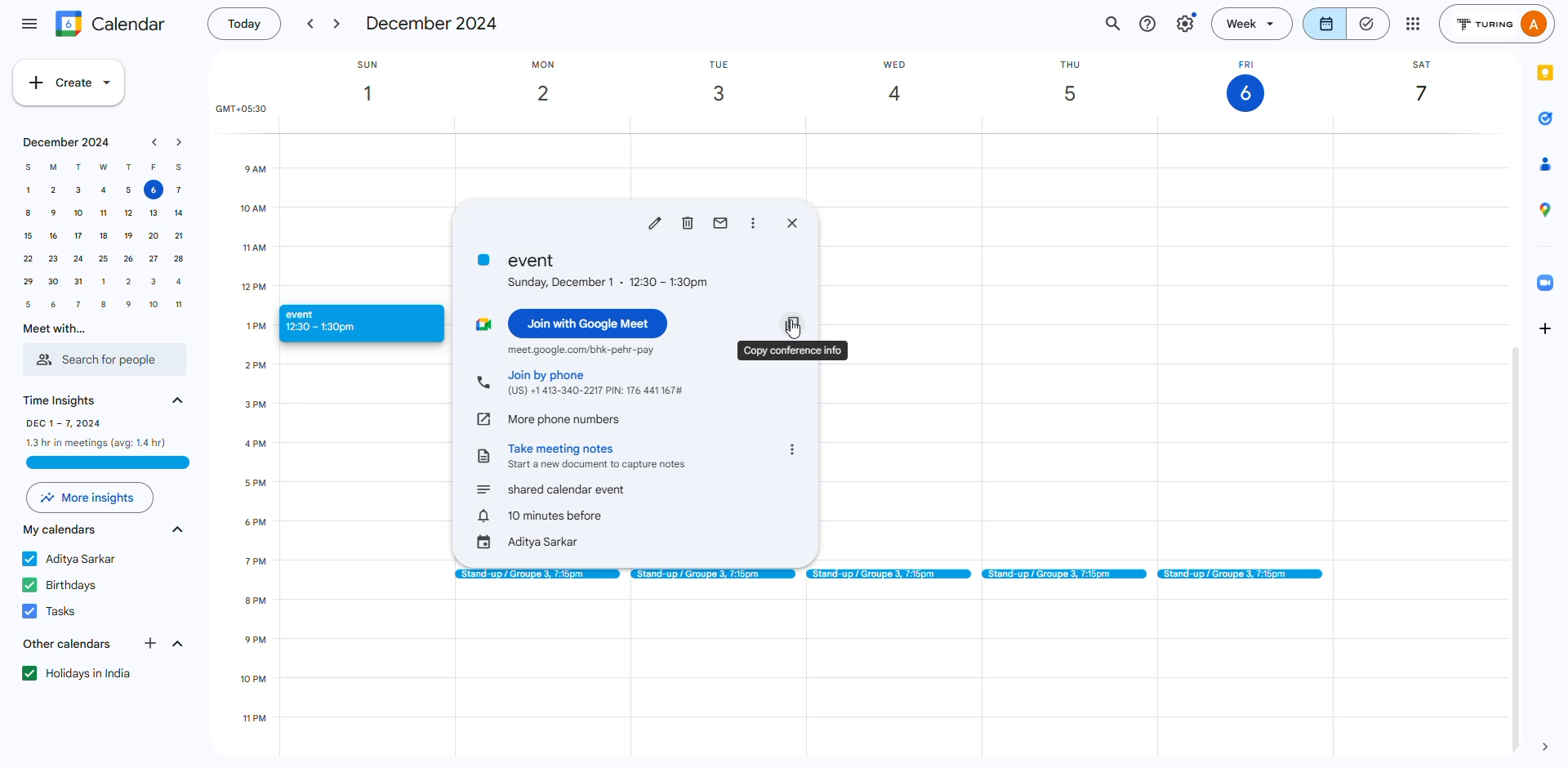 The image size is (1568, 768). I want to click on ‘GMT+05:30, so click(238, 109).